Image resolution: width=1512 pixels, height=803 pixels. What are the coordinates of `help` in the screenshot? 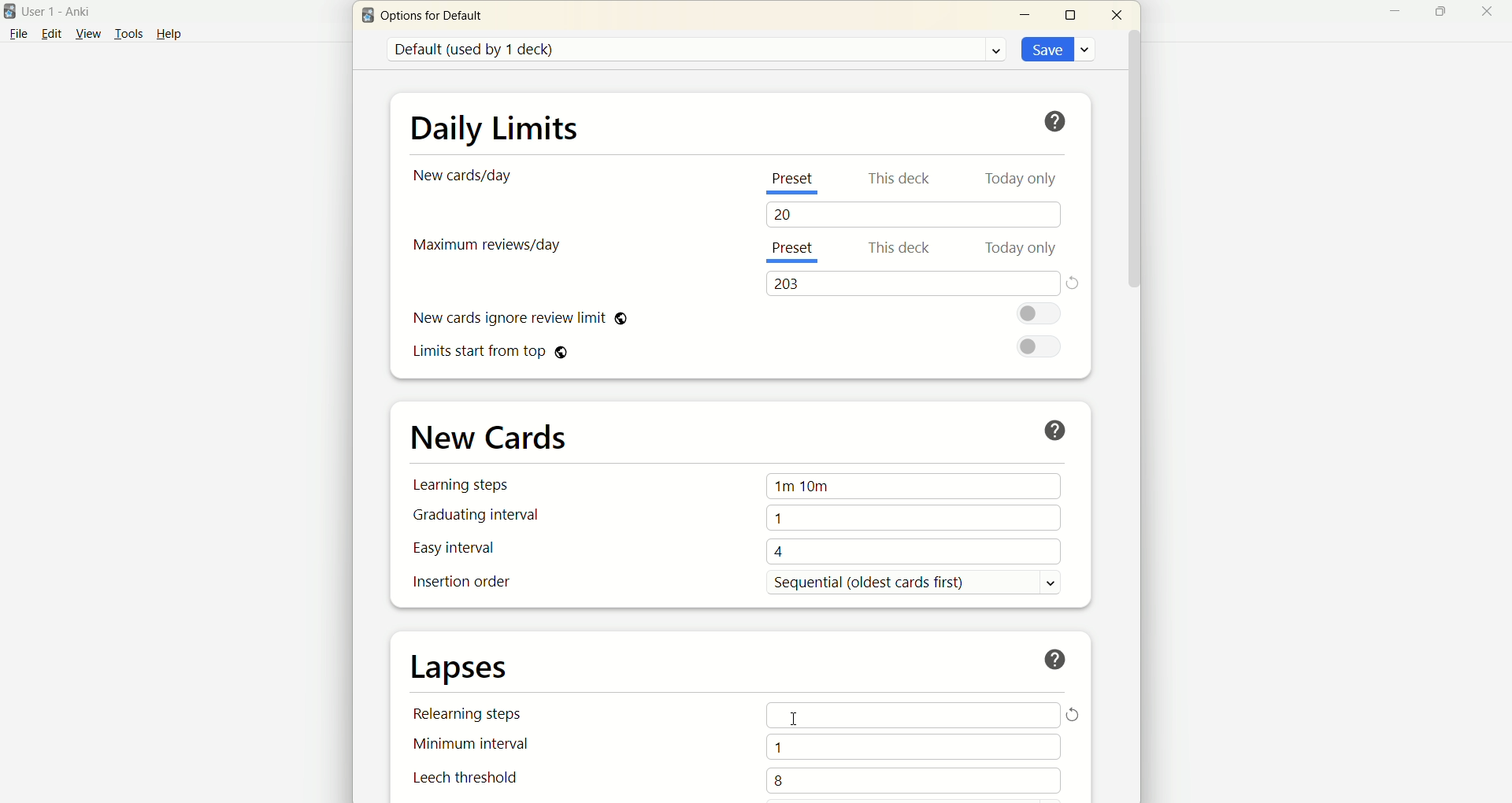 It's located at (178, 33).